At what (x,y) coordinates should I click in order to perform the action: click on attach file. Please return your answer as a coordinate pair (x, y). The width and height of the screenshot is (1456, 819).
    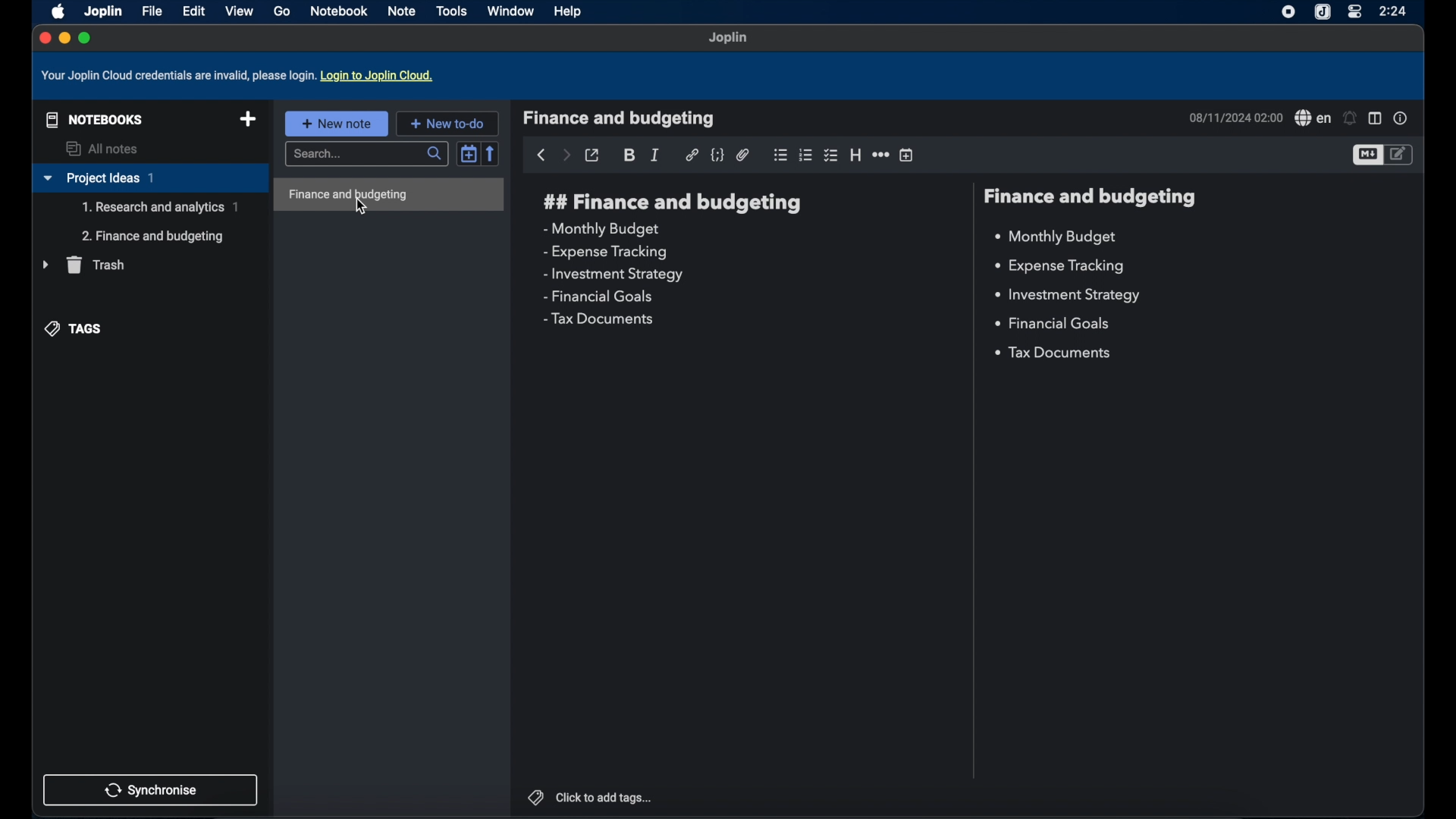
    Looking at the image, I should click on (743, 155).